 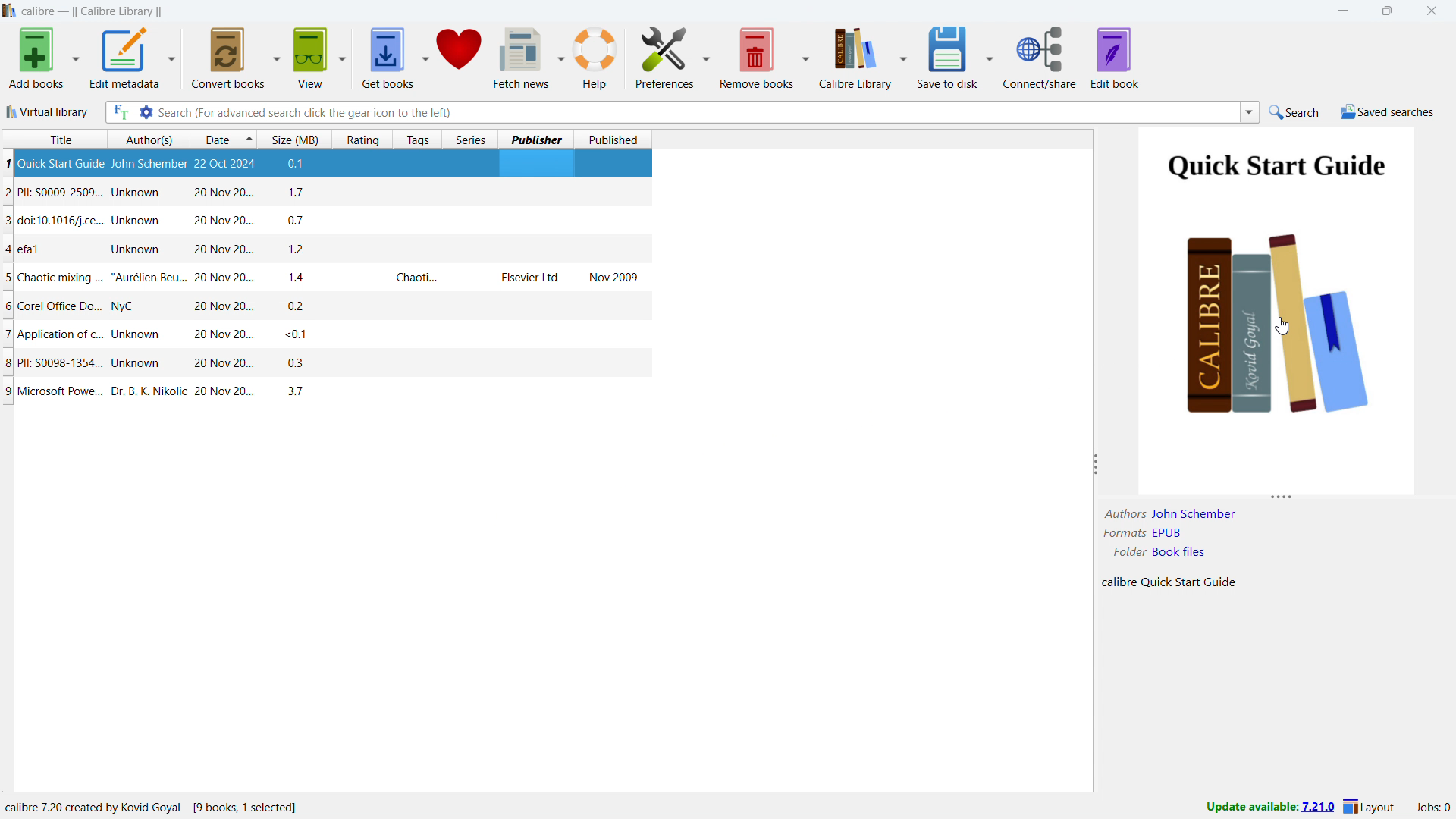 What do you see at coordinates (1432, 10) in the screenshot?
I see `close` at bounding box center [1432, 10].